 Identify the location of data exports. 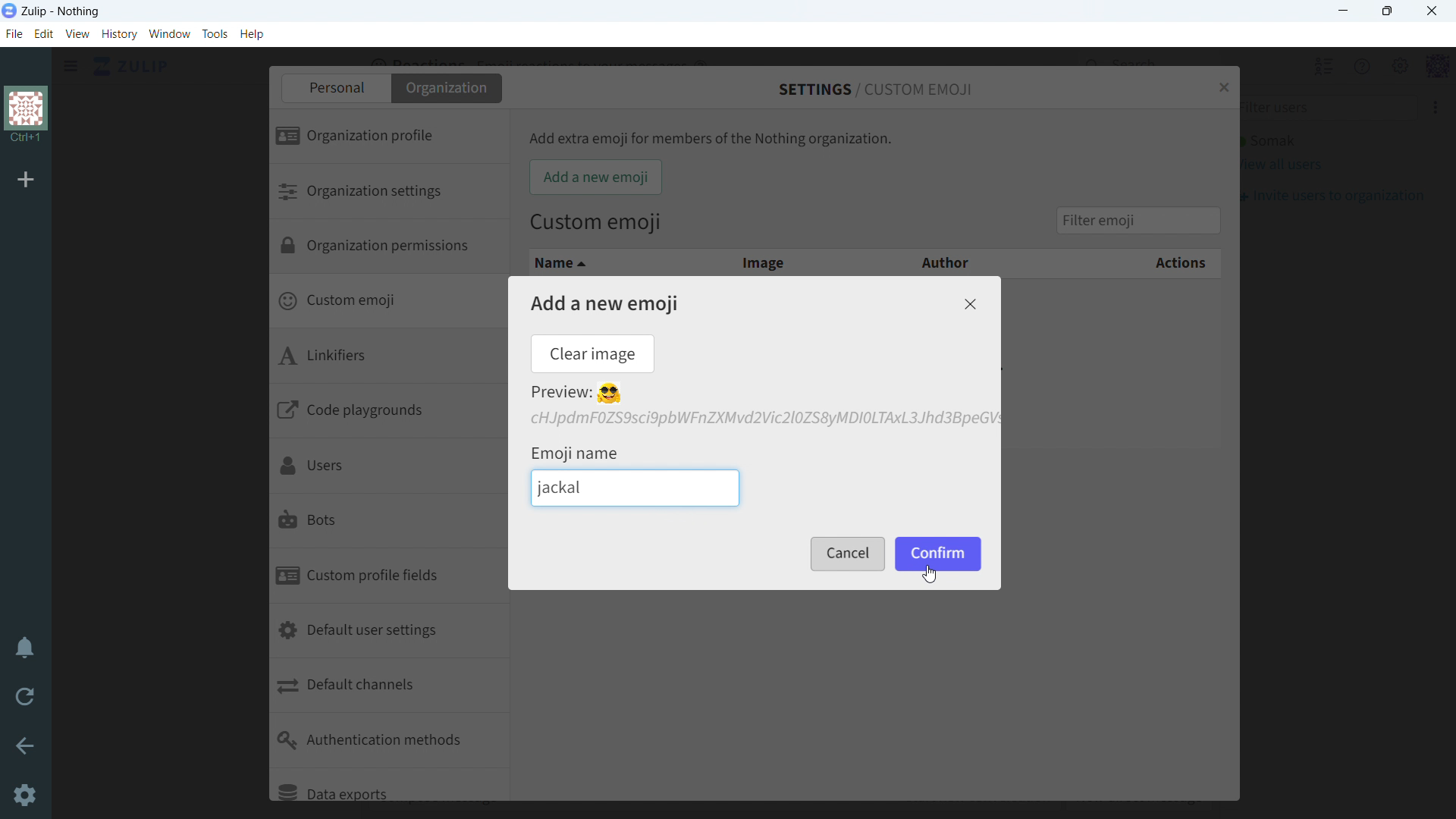
(388, 785).